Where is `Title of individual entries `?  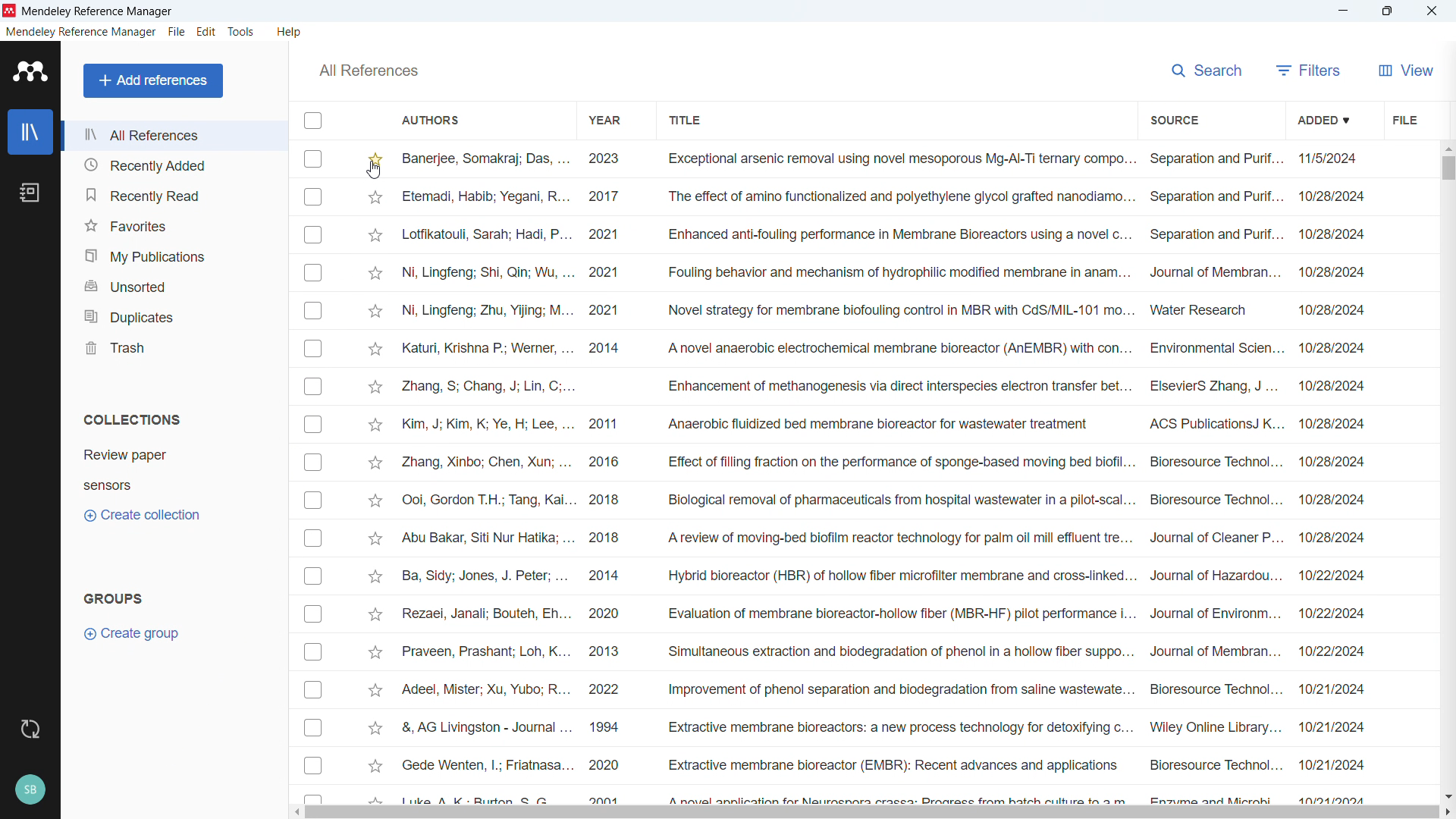 Title of individual entries  is located at coordinates (899, 475).